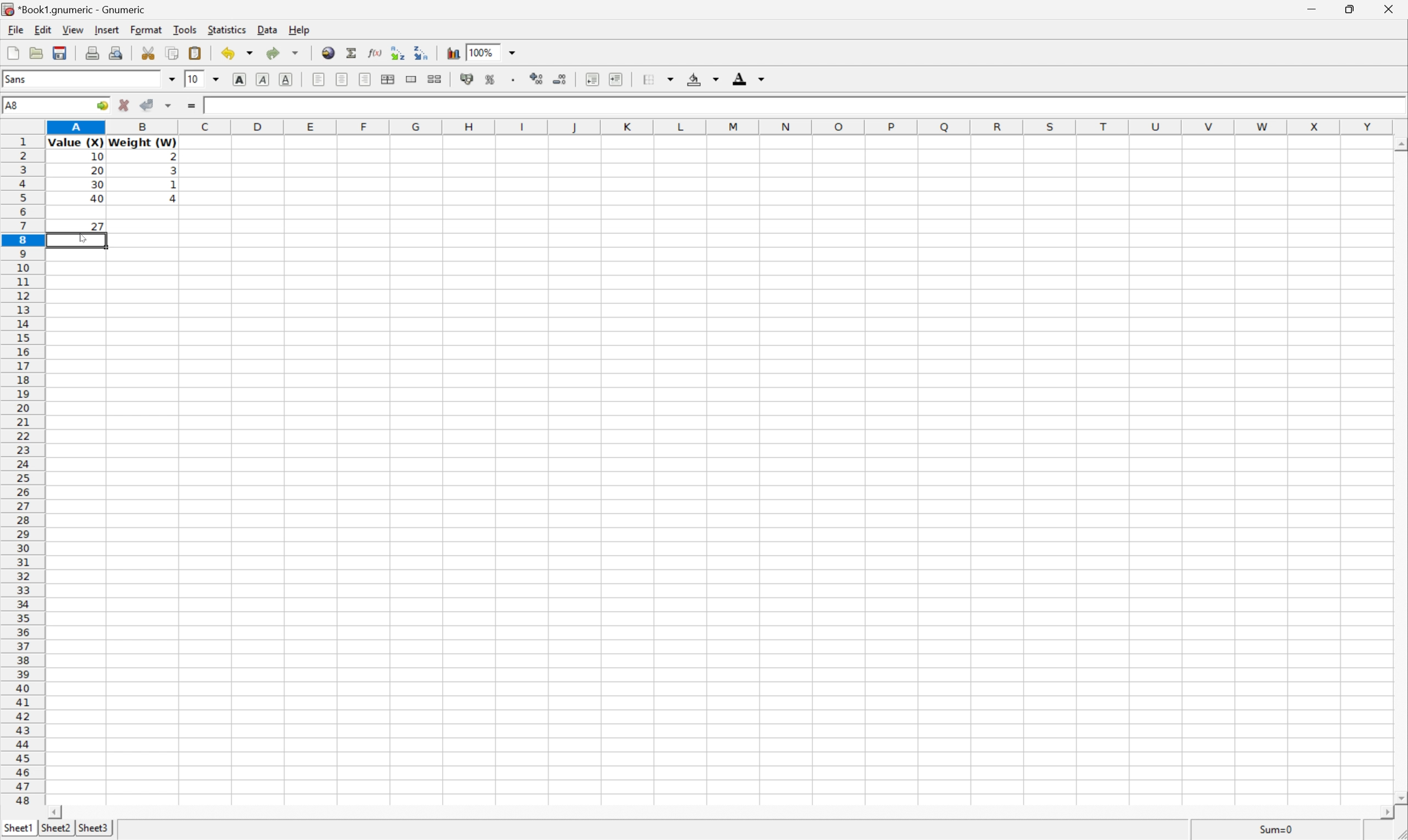 Image resolution: width=1408 pixels, height=840 pixels. Describe the element at coordinates (21, 472) in the screenshot. I see `Row number` at that location.